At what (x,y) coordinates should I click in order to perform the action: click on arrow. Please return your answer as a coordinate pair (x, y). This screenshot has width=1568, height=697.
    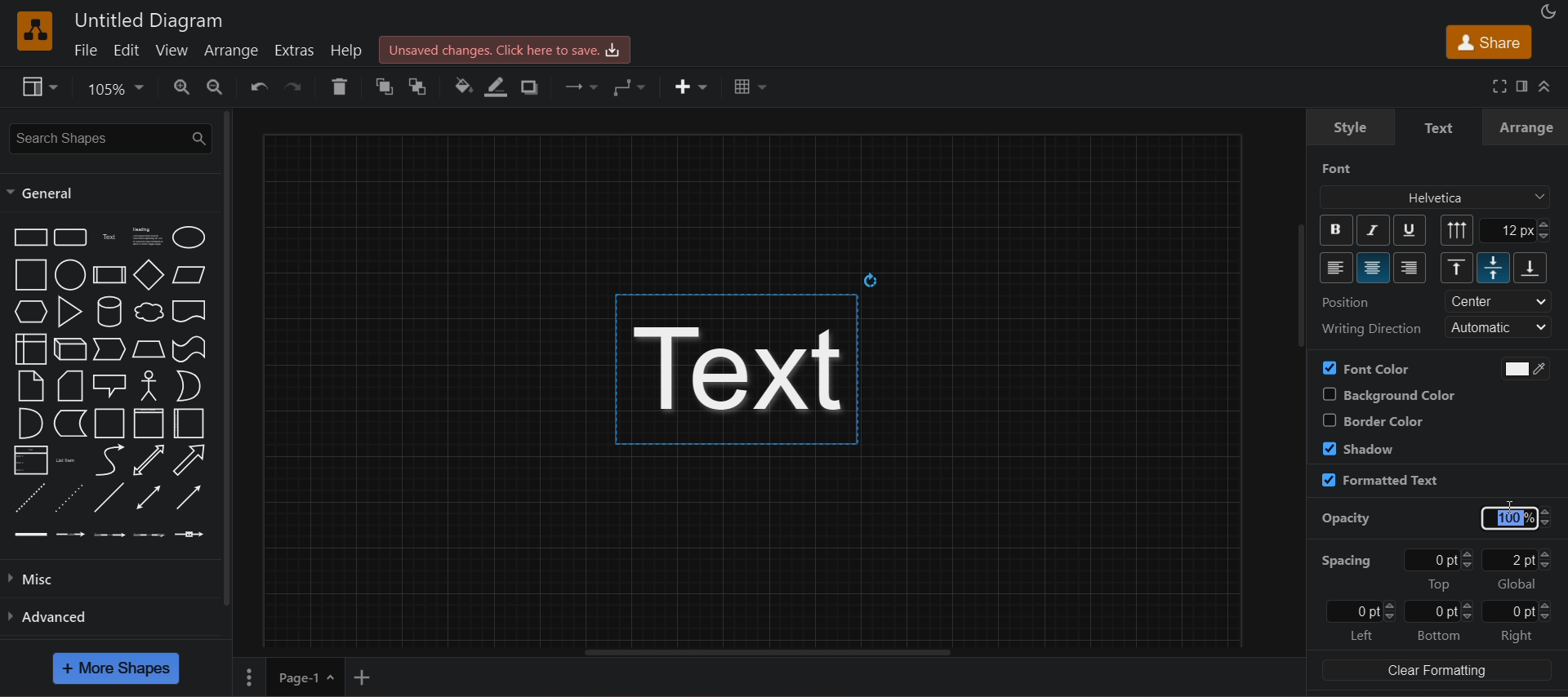
    Looking at the image, I should click on (191, 460).